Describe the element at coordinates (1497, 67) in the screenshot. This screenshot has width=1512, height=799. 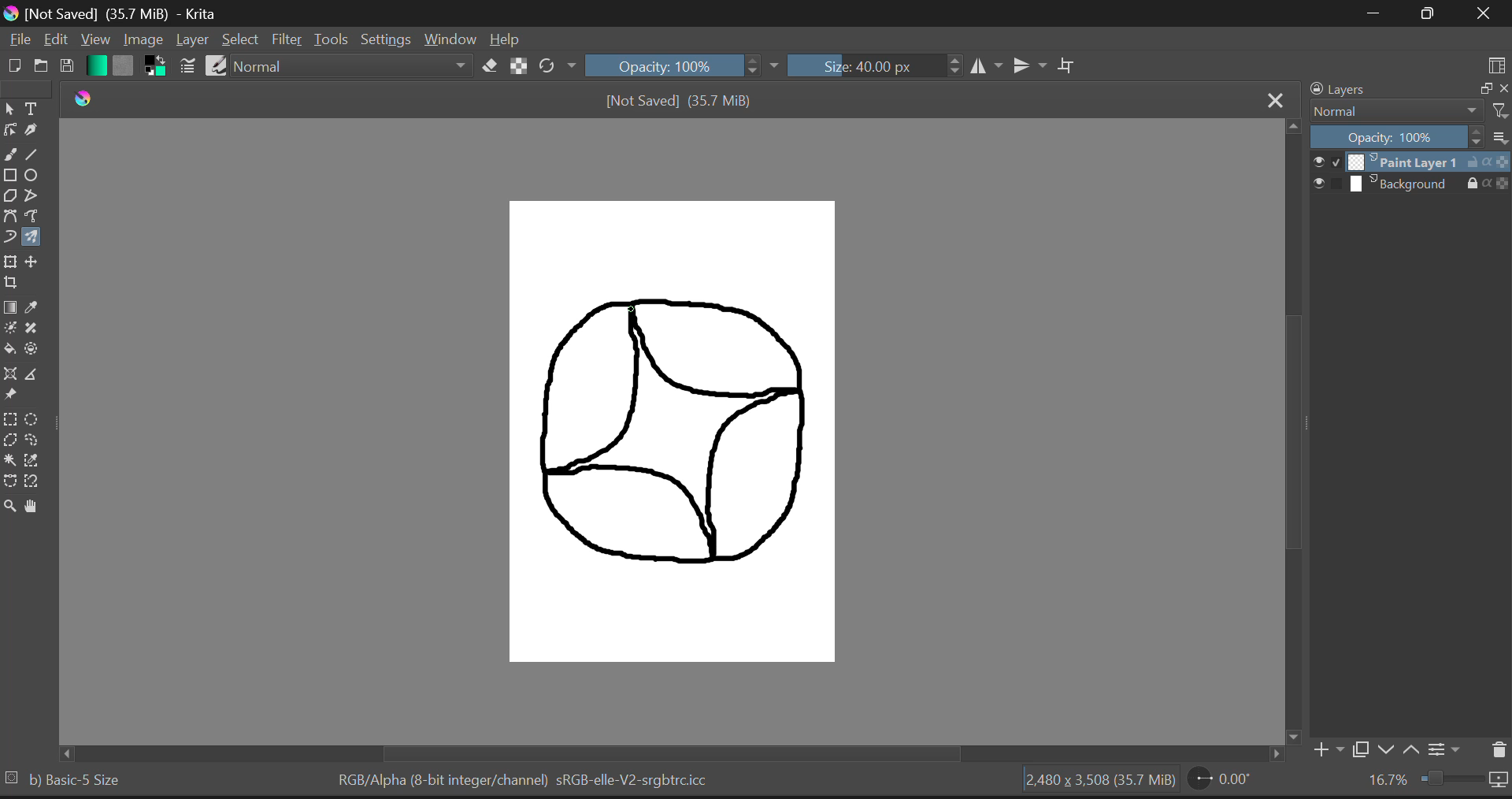
I see `Choose Workspace` at that location.